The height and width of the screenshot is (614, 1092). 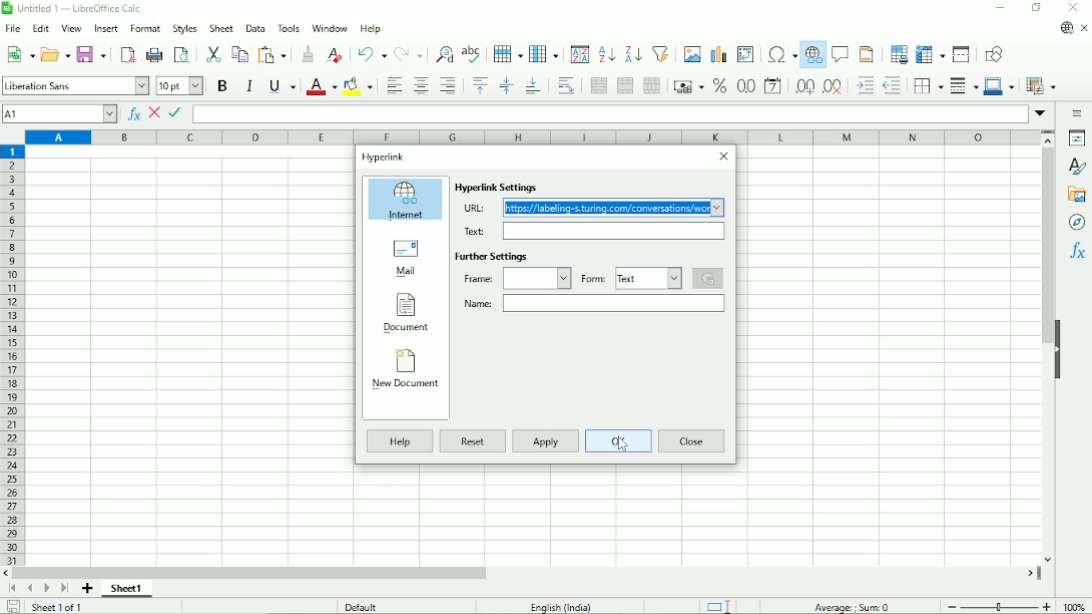 I want to click on Gallery, so click(x=1078, y=194).